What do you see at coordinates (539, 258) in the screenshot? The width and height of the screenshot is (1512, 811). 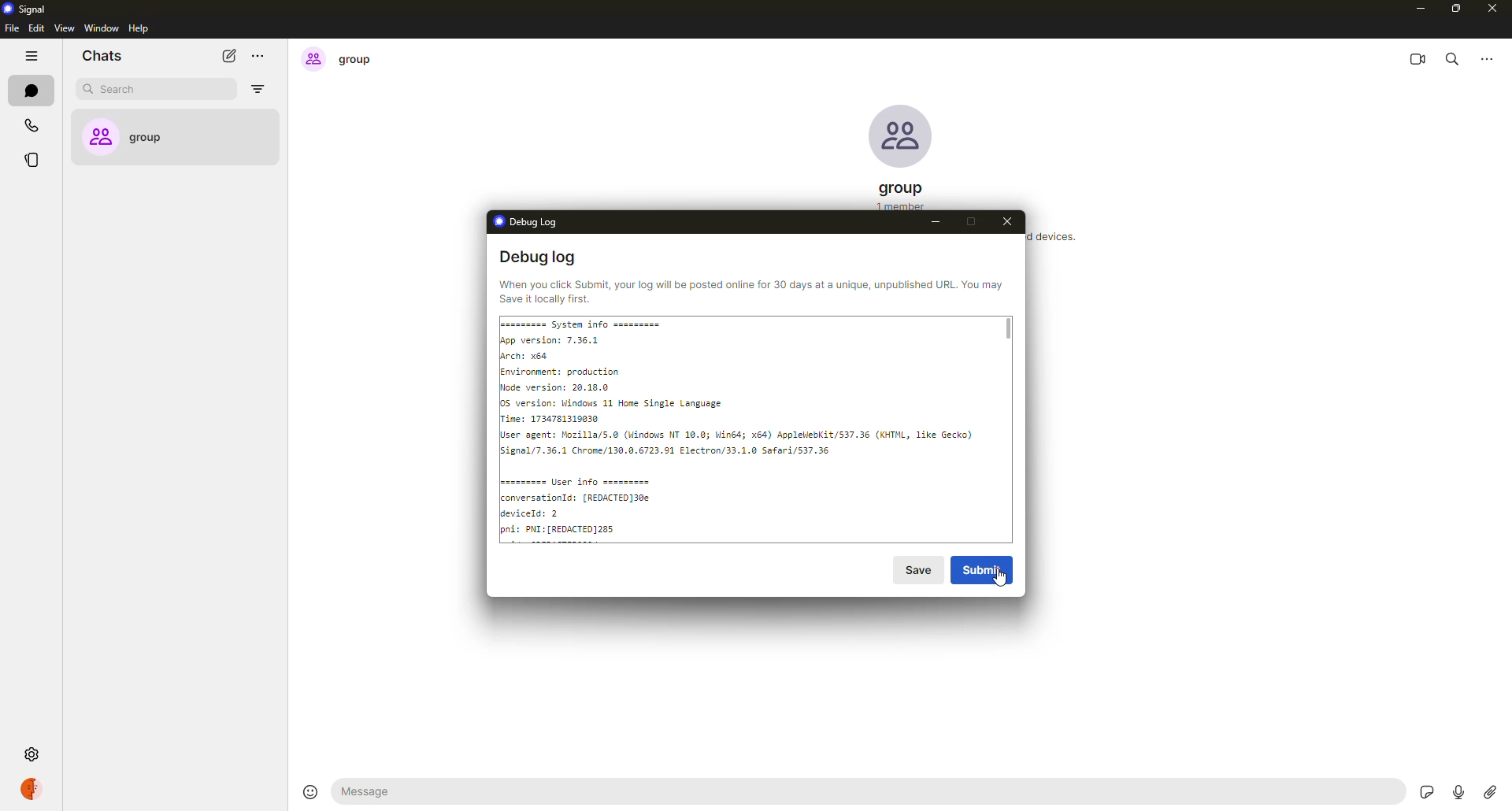 I see `debug log` at bounding box center [539, 258].